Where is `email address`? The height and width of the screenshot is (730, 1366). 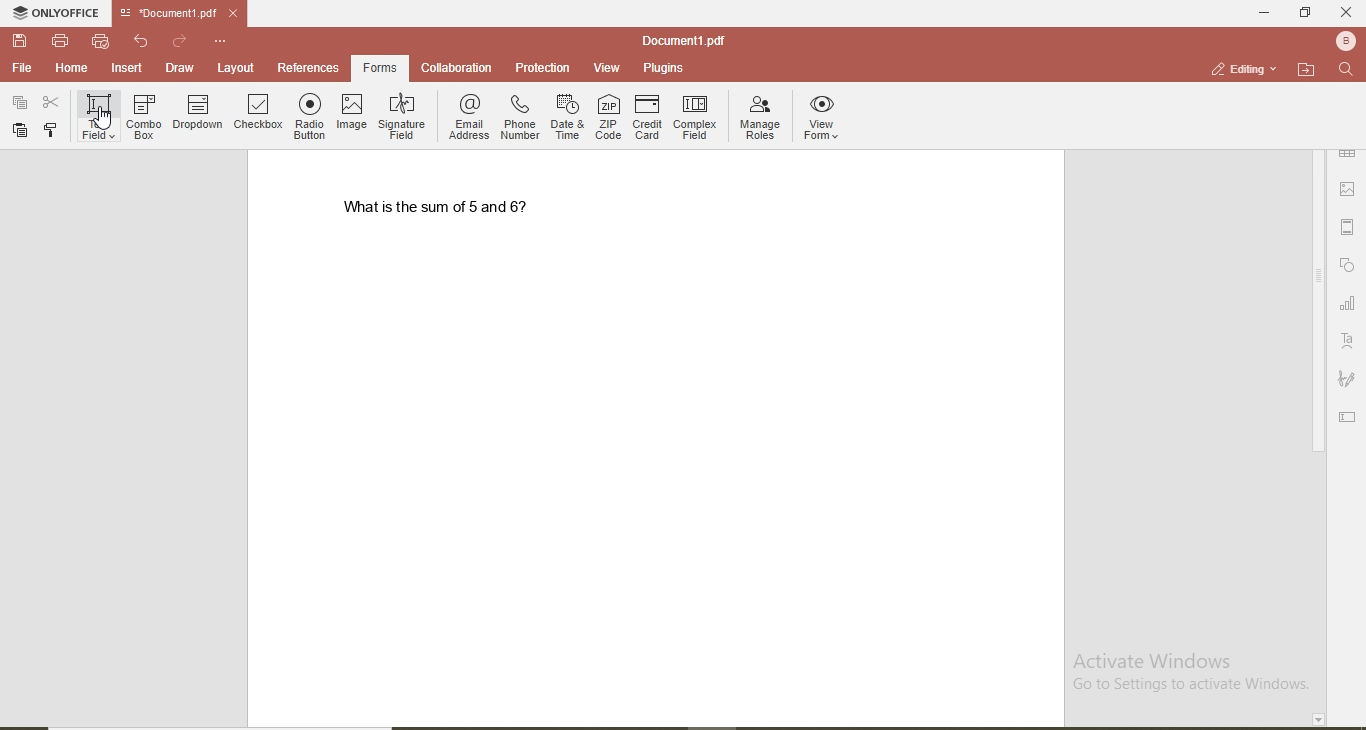
email address is located at coordinates (463, 118).